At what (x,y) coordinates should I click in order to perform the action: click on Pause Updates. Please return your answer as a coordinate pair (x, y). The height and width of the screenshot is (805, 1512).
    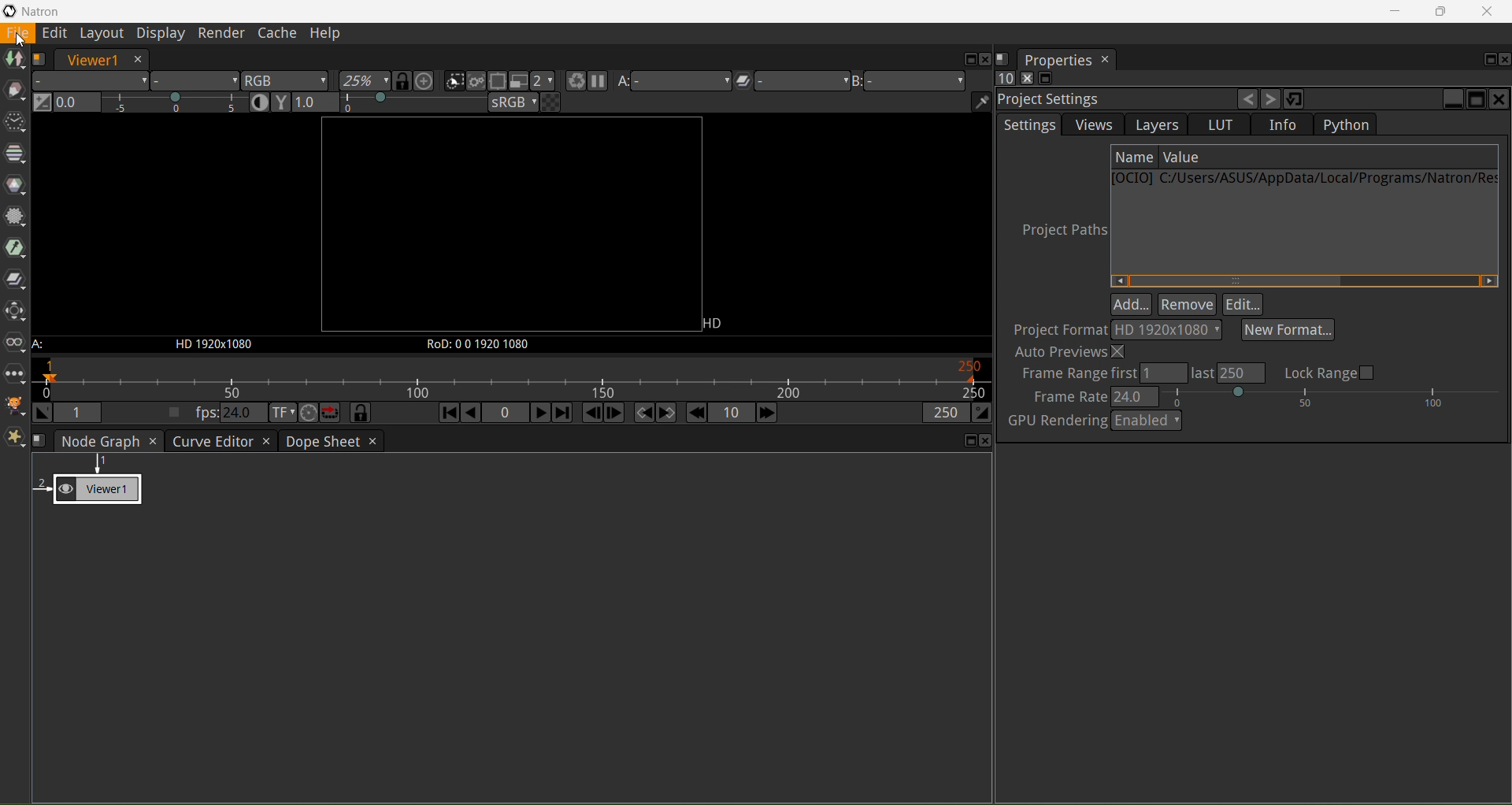
    Looking at the image, I should click on (597, 81).